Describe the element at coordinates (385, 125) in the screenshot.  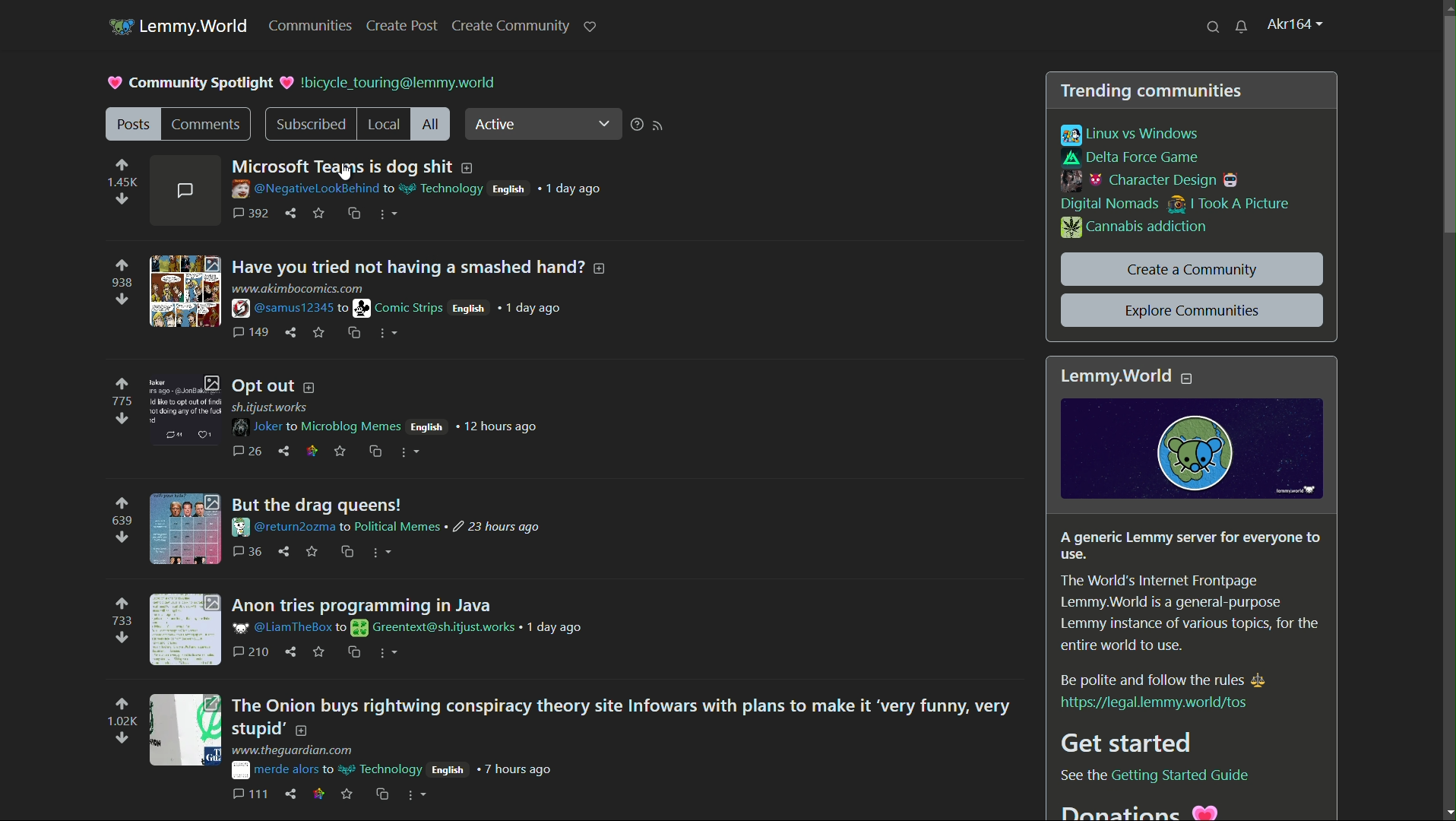
I see `local` at that location.